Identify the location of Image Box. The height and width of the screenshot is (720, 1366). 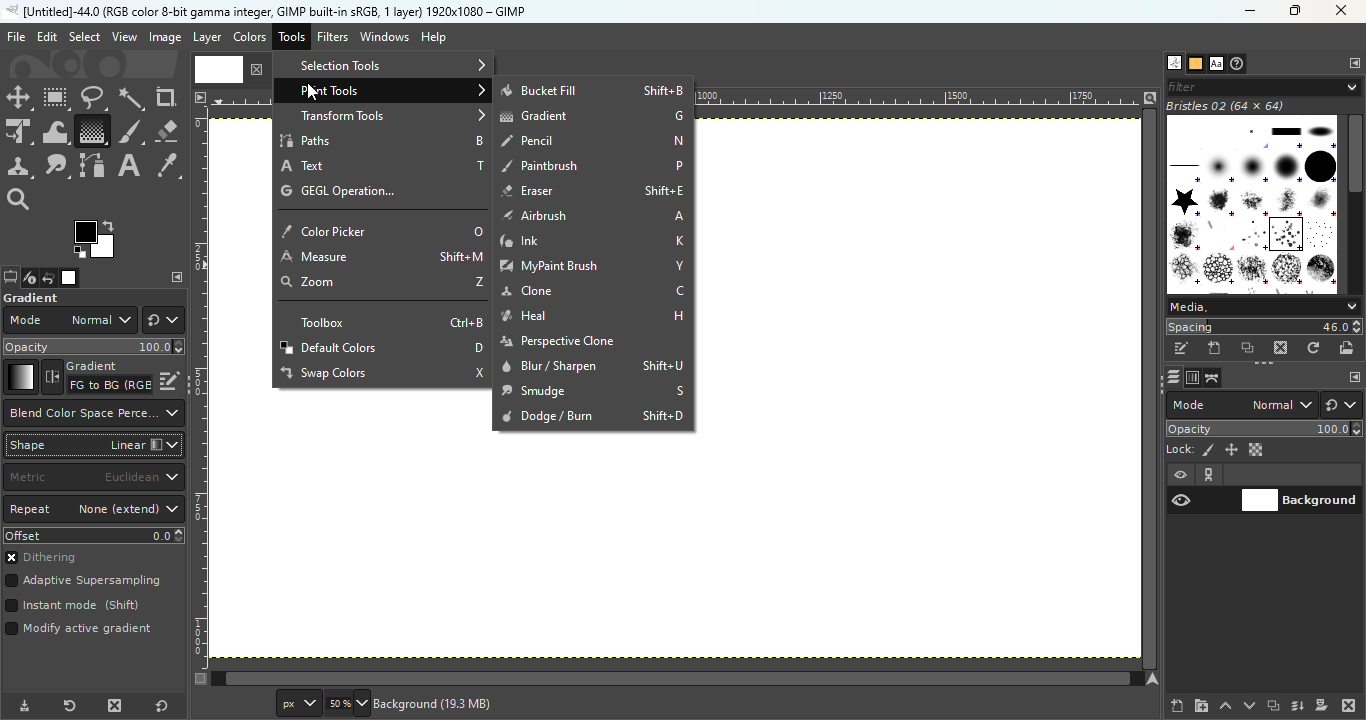
(1252, 197).